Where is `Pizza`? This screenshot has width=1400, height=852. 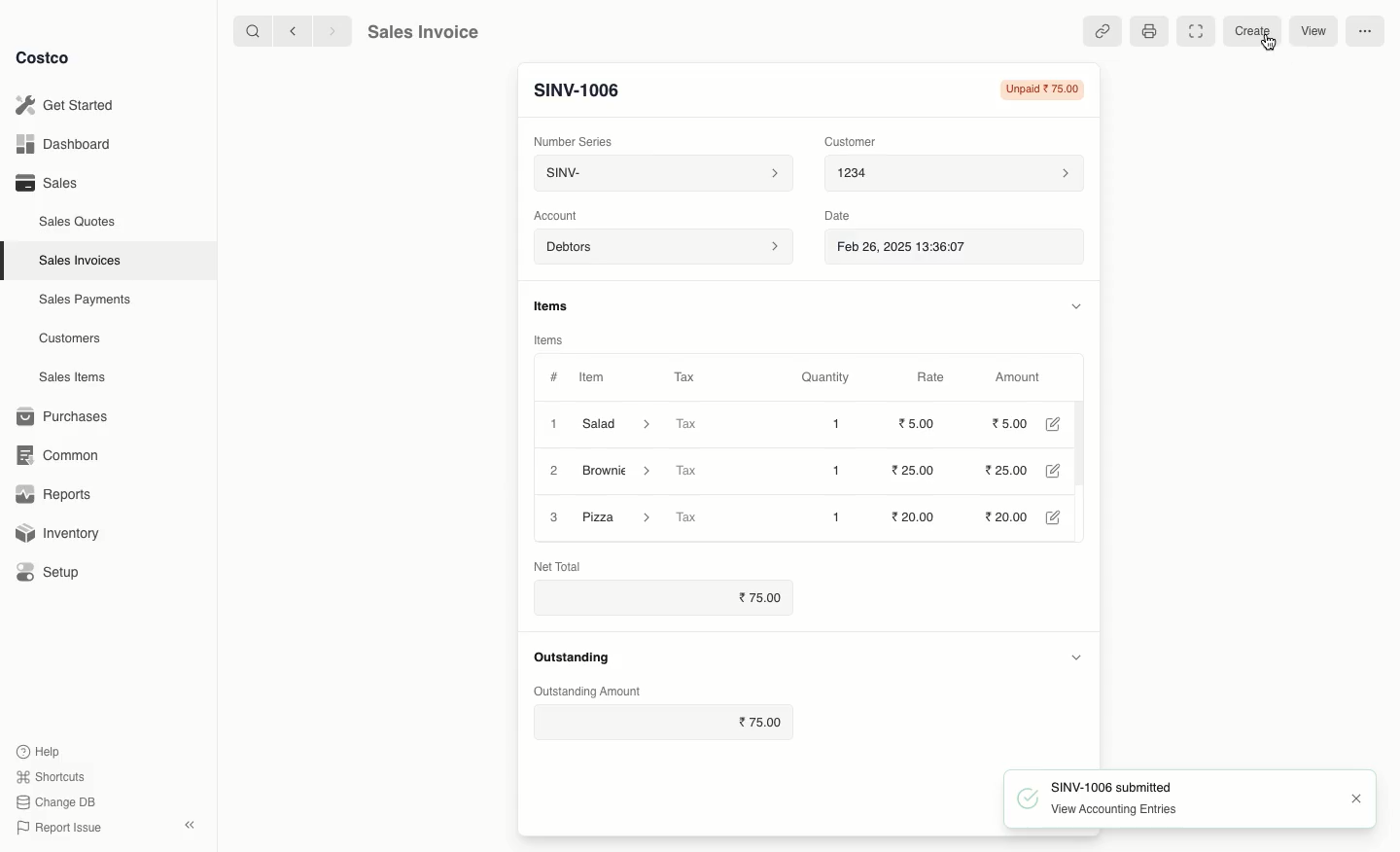
Pizza is located at coordinates (617, 518).